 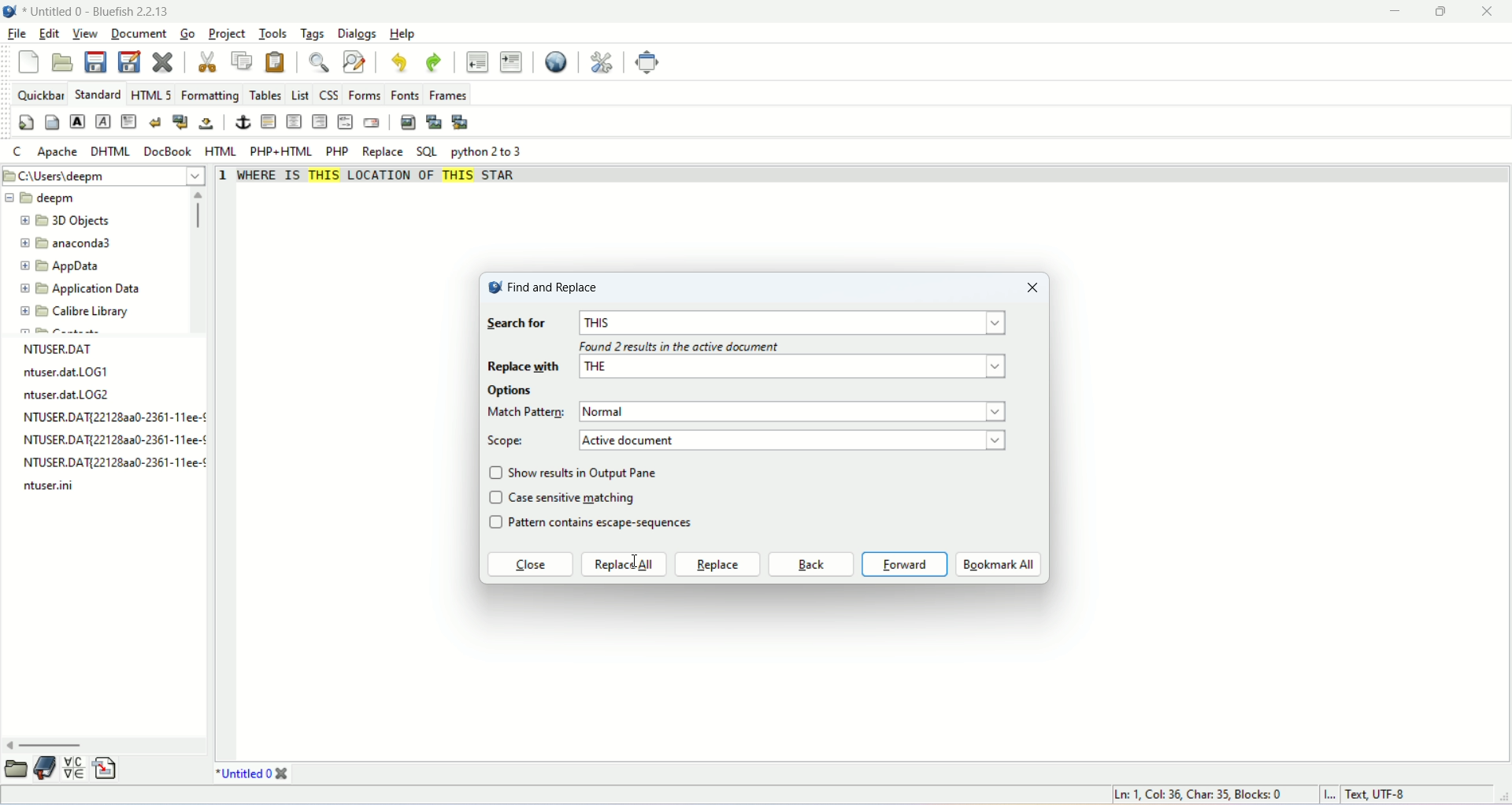 I want to click on Application Data, so click(x=80, y=289).